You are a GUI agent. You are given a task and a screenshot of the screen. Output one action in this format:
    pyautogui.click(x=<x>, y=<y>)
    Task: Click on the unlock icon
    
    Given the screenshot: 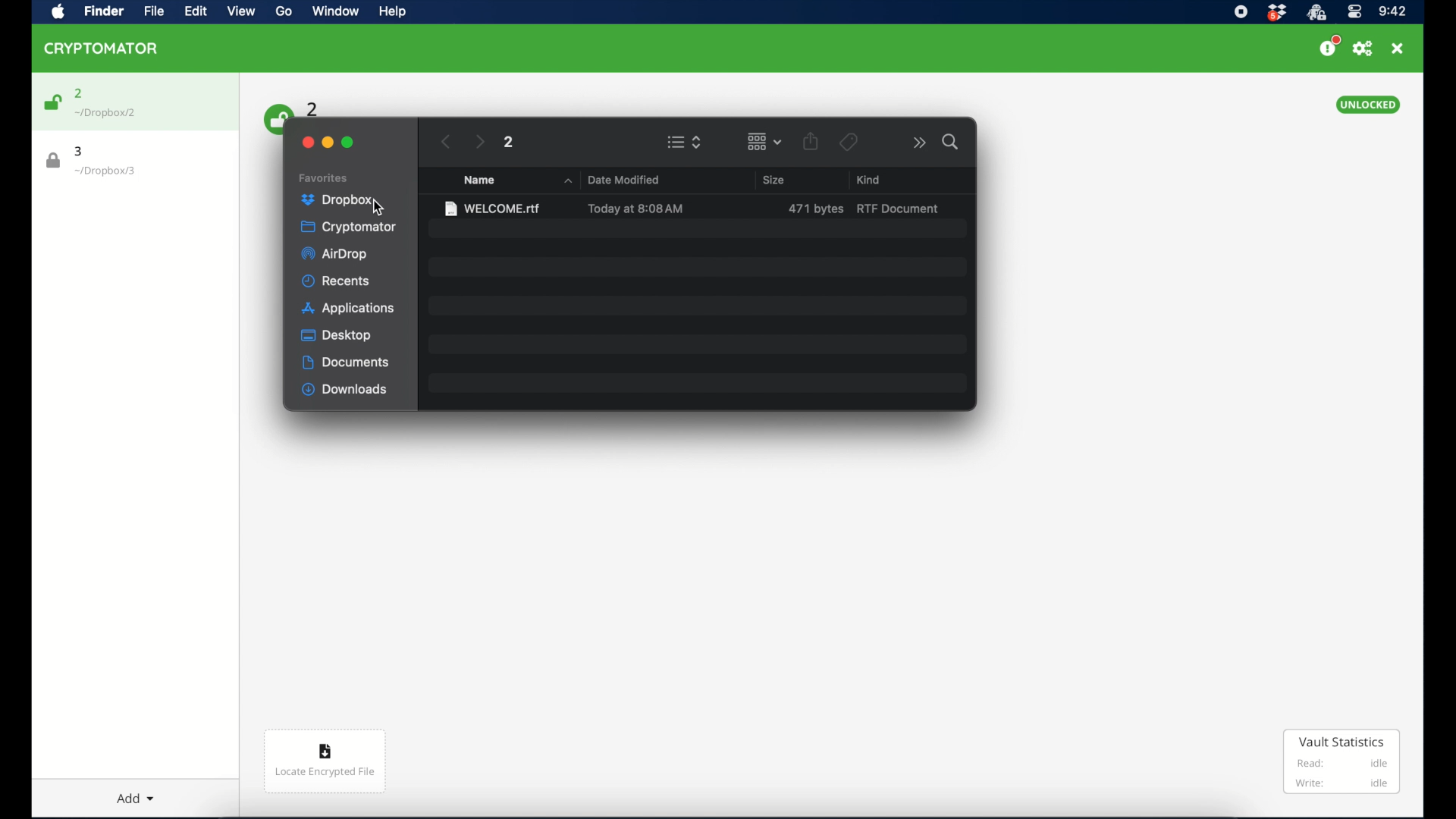 What is the action you would take?
    pyautogui.click(x=275, y=118)
    